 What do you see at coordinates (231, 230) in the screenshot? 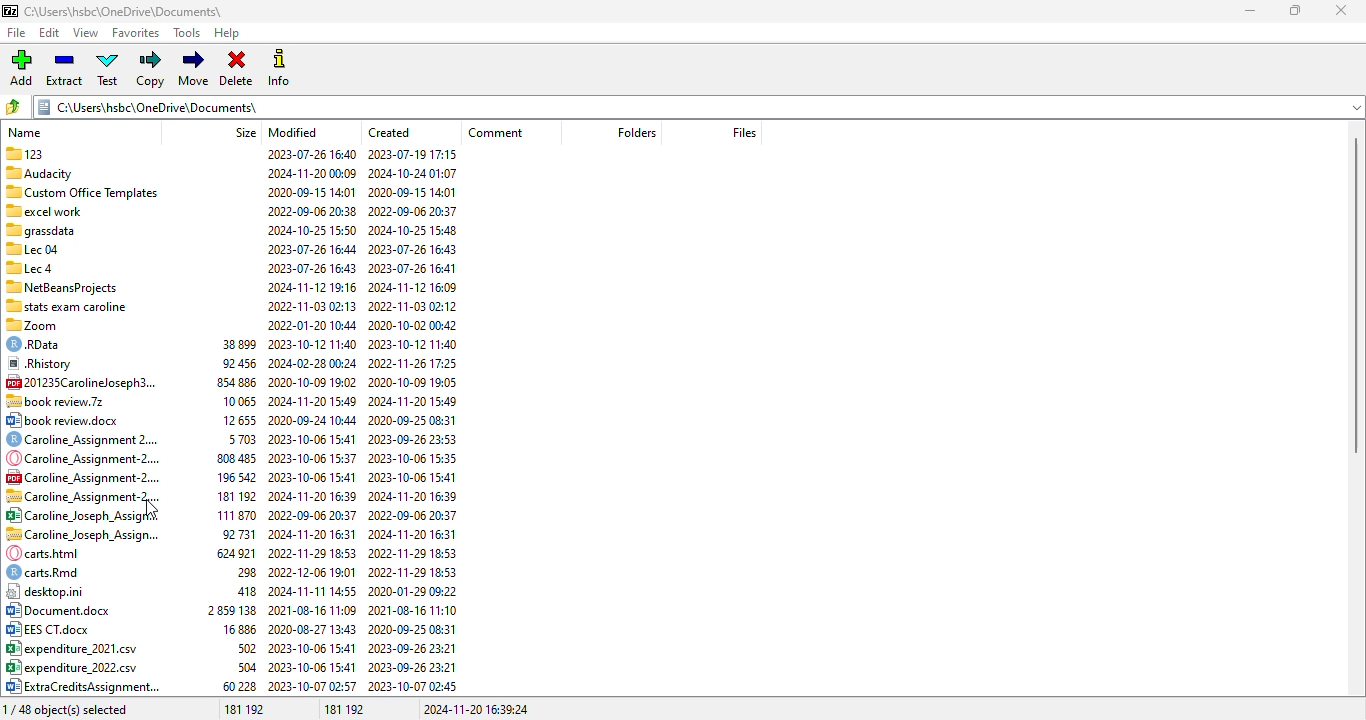
I see `= grassdata 2024-10-25 15:50 2024-10-25 15:48` at bounding box center [231, 230].